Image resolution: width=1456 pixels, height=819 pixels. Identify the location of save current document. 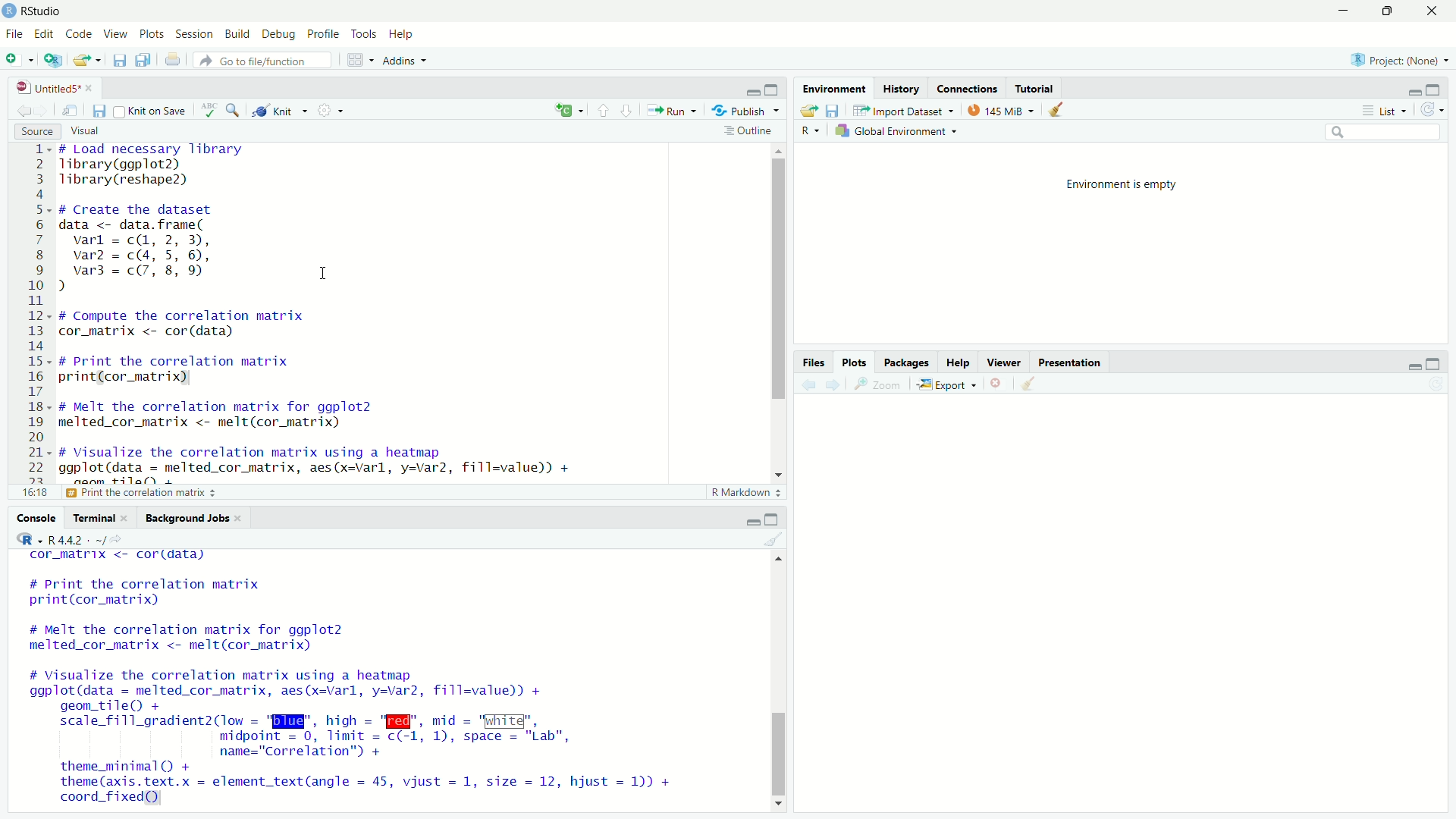
(100, 111).